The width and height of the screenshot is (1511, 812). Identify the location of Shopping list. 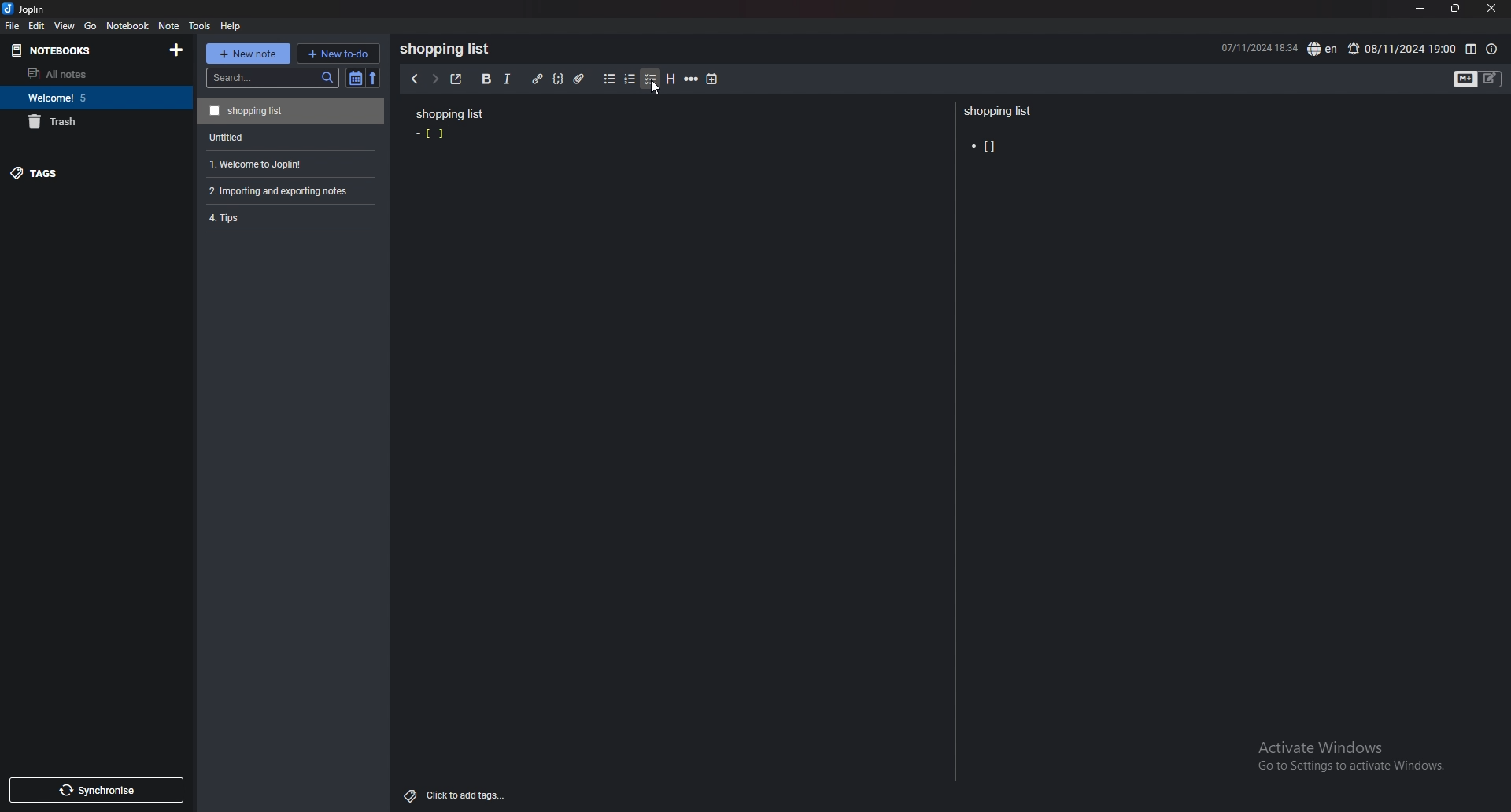
(449, 49).